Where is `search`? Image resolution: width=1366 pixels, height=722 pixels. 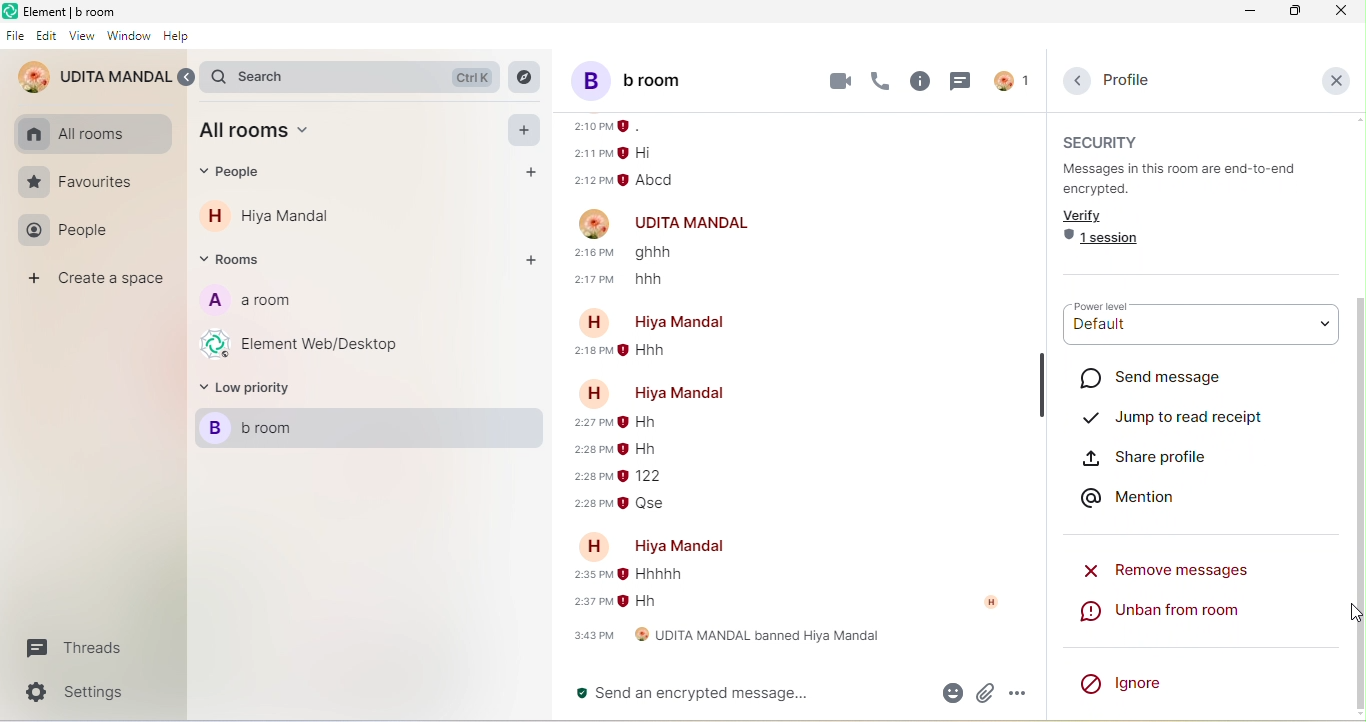
search is located at coordinates (356, 77).